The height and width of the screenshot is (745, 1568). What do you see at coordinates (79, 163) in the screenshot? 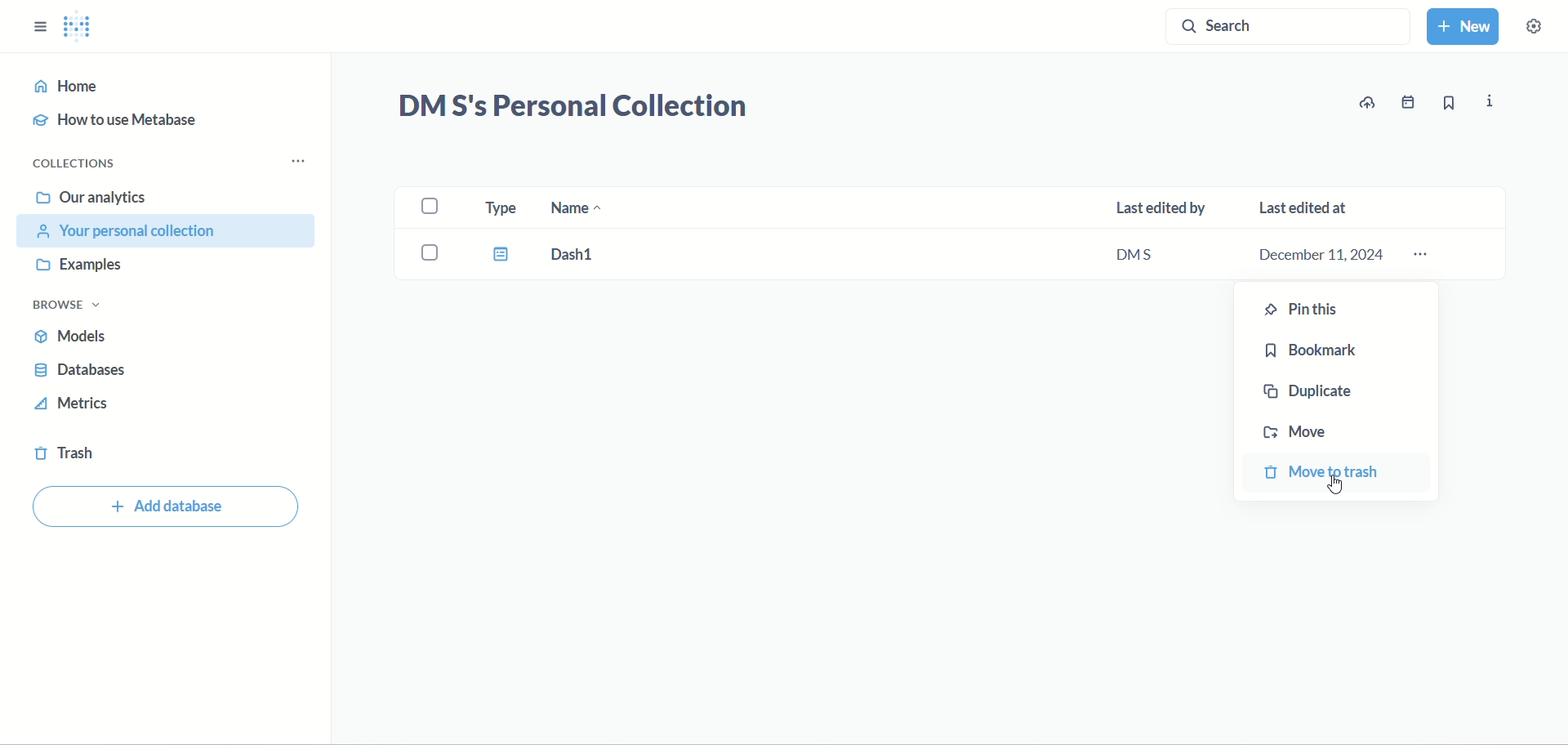
I see `collections` at bounding box center [79, 163].